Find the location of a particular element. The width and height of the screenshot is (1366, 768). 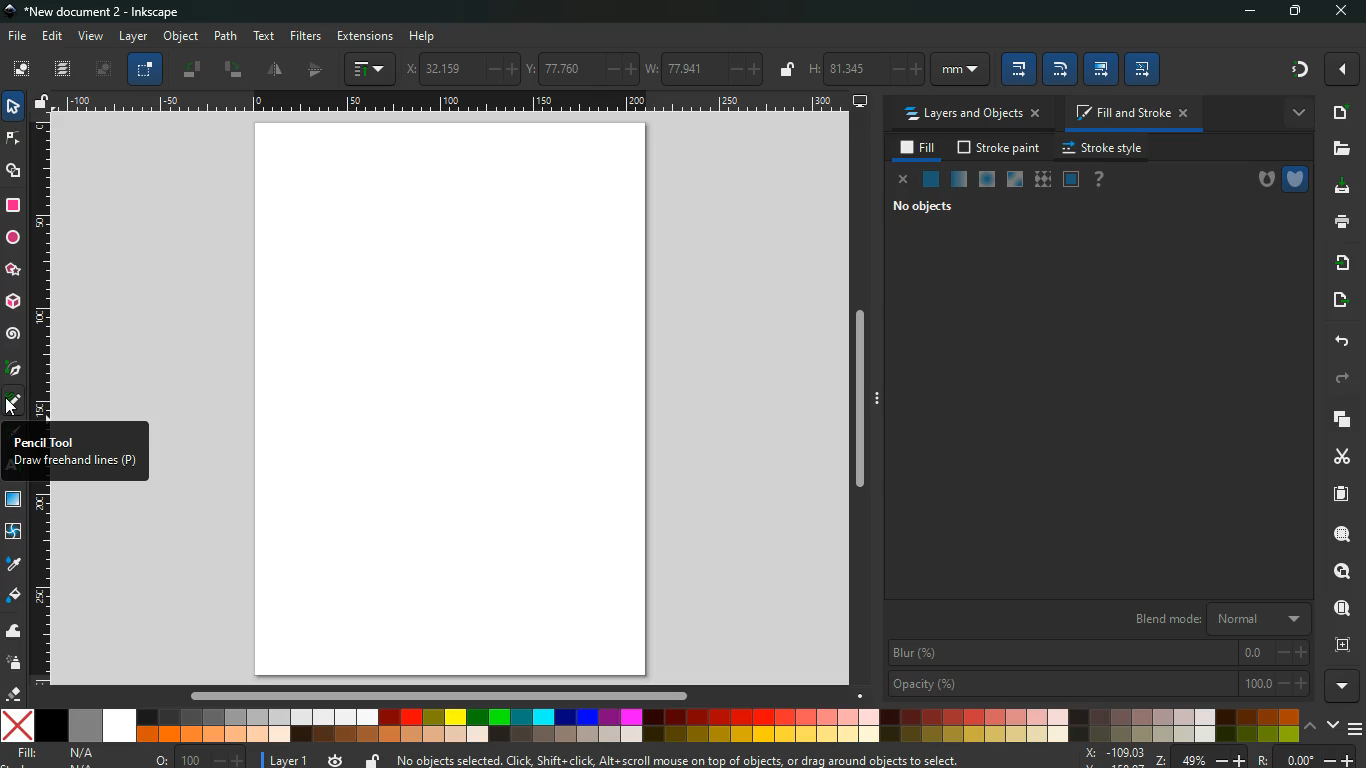

 is located at coordinates (453, 104).